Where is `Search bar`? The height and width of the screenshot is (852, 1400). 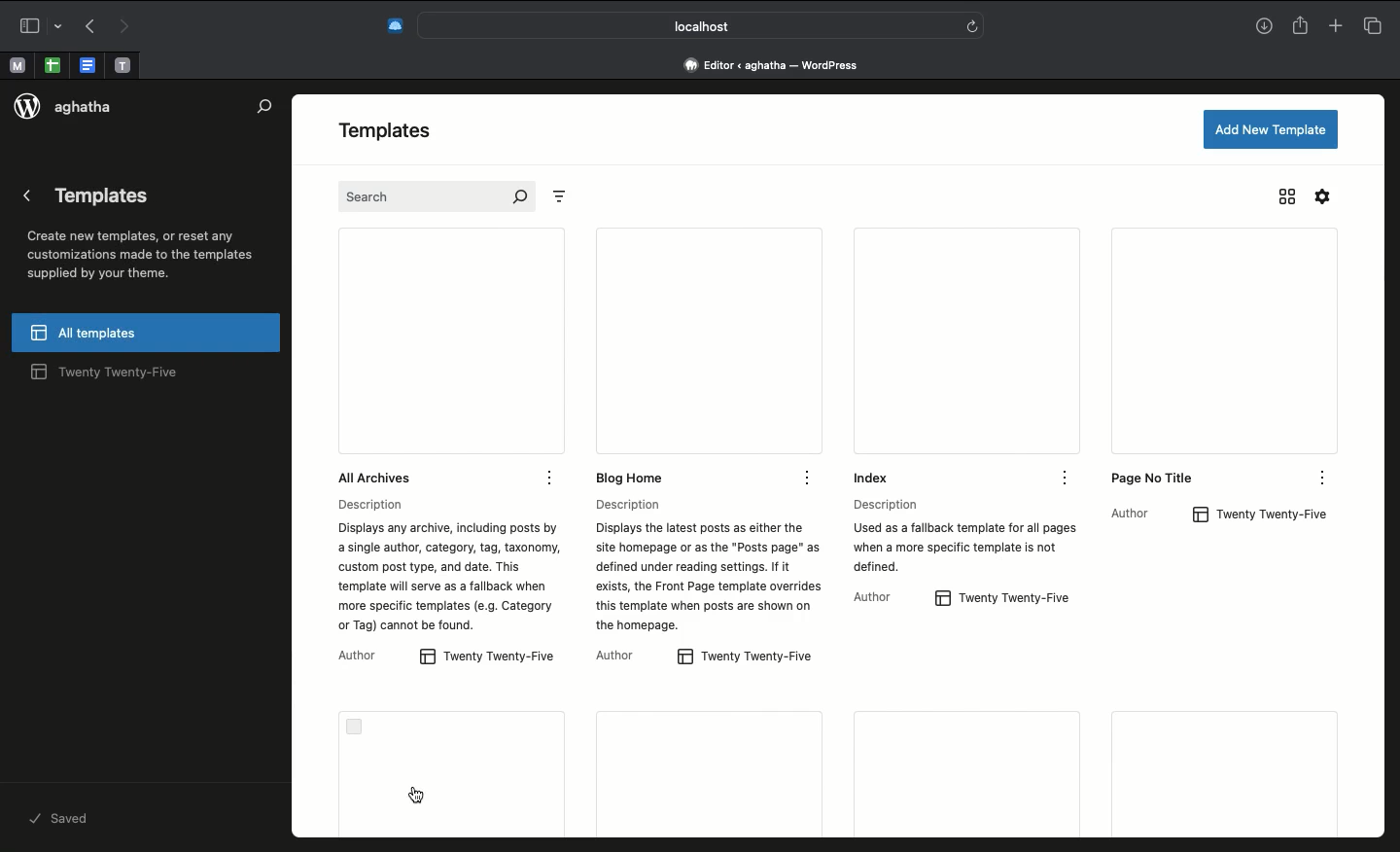
Search bar is located at coordinates (703, 24).